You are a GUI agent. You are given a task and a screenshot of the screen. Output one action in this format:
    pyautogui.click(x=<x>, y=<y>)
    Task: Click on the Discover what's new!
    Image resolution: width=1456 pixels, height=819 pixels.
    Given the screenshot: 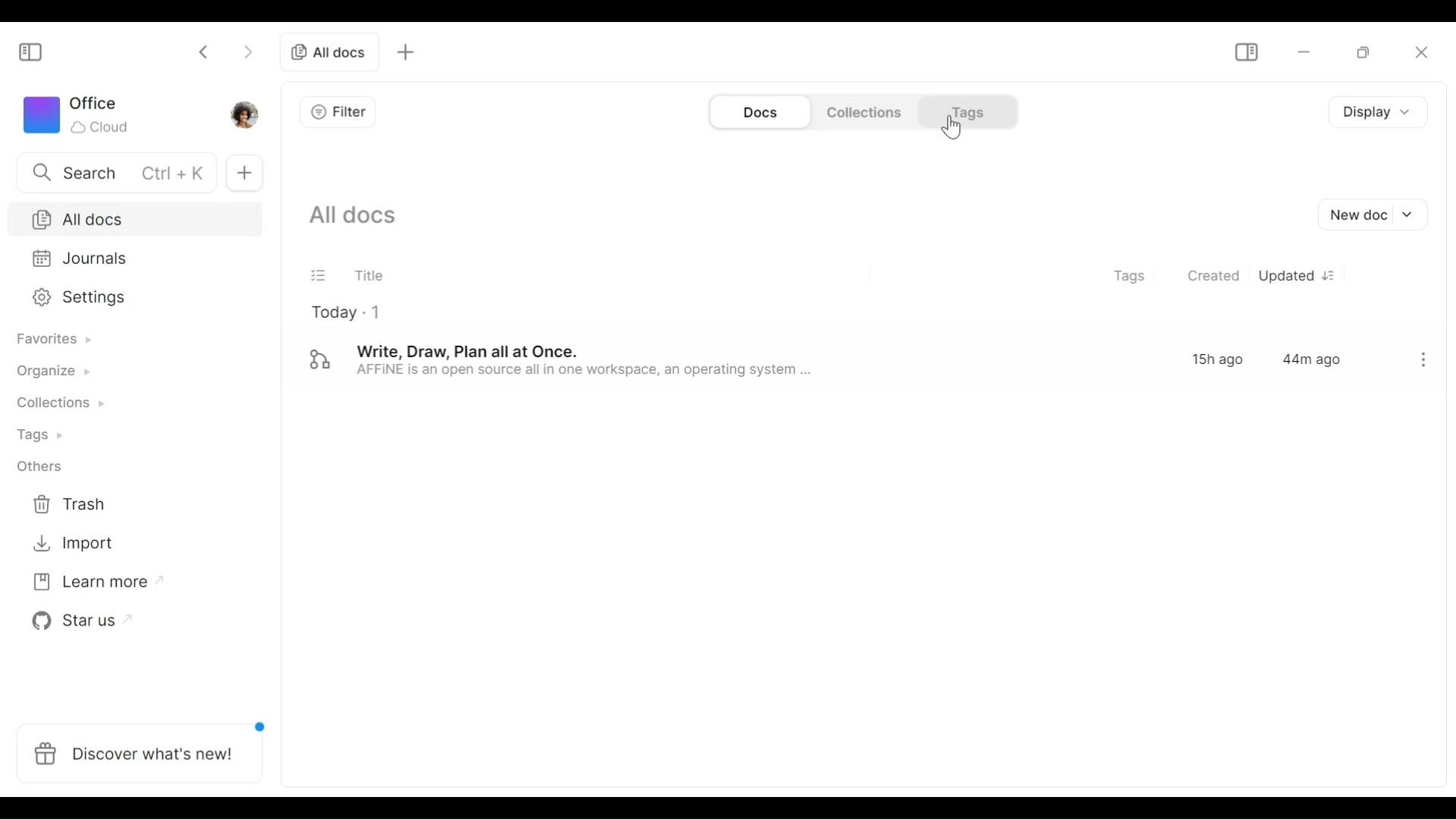 What is the action you would take?
    pyautogui.click(x=138, y=757)
    